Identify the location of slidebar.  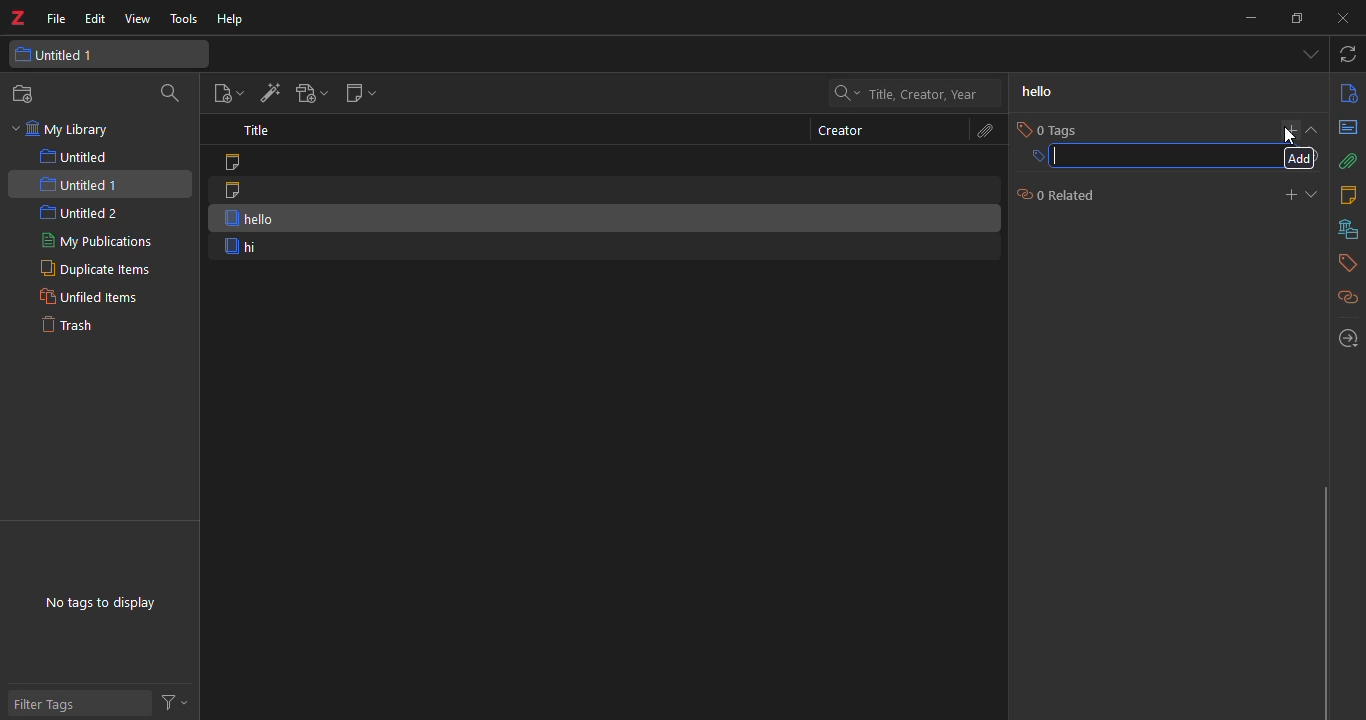
(1322, 600).